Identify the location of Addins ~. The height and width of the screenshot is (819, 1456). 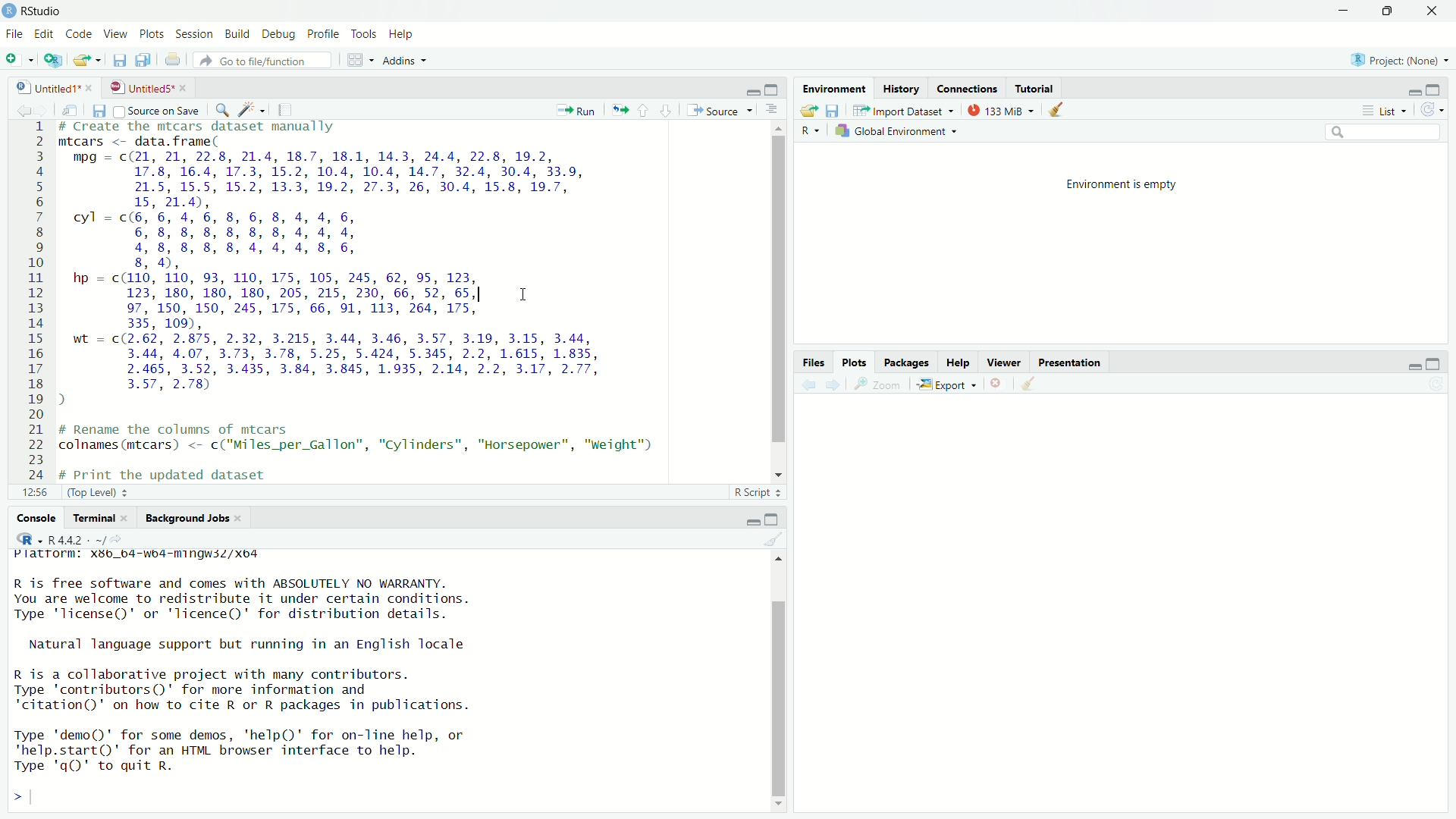
(404, 62).